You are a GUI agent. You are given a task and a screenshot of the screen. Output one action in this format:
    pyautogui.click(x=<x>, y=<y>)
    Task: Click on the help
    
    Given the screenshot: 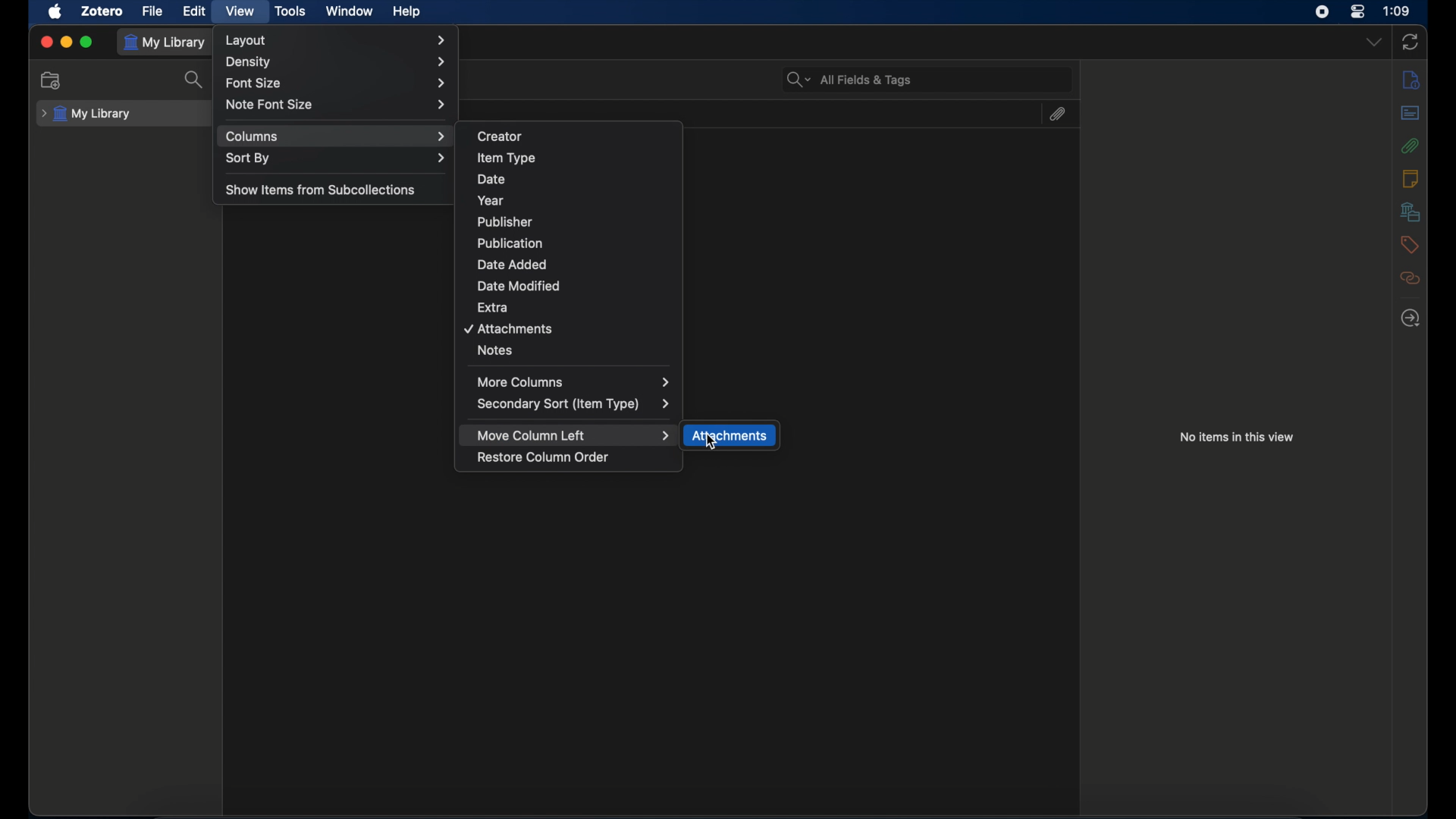 What is the action you would take?
    pyautogui.click(x=406, y=12)
    